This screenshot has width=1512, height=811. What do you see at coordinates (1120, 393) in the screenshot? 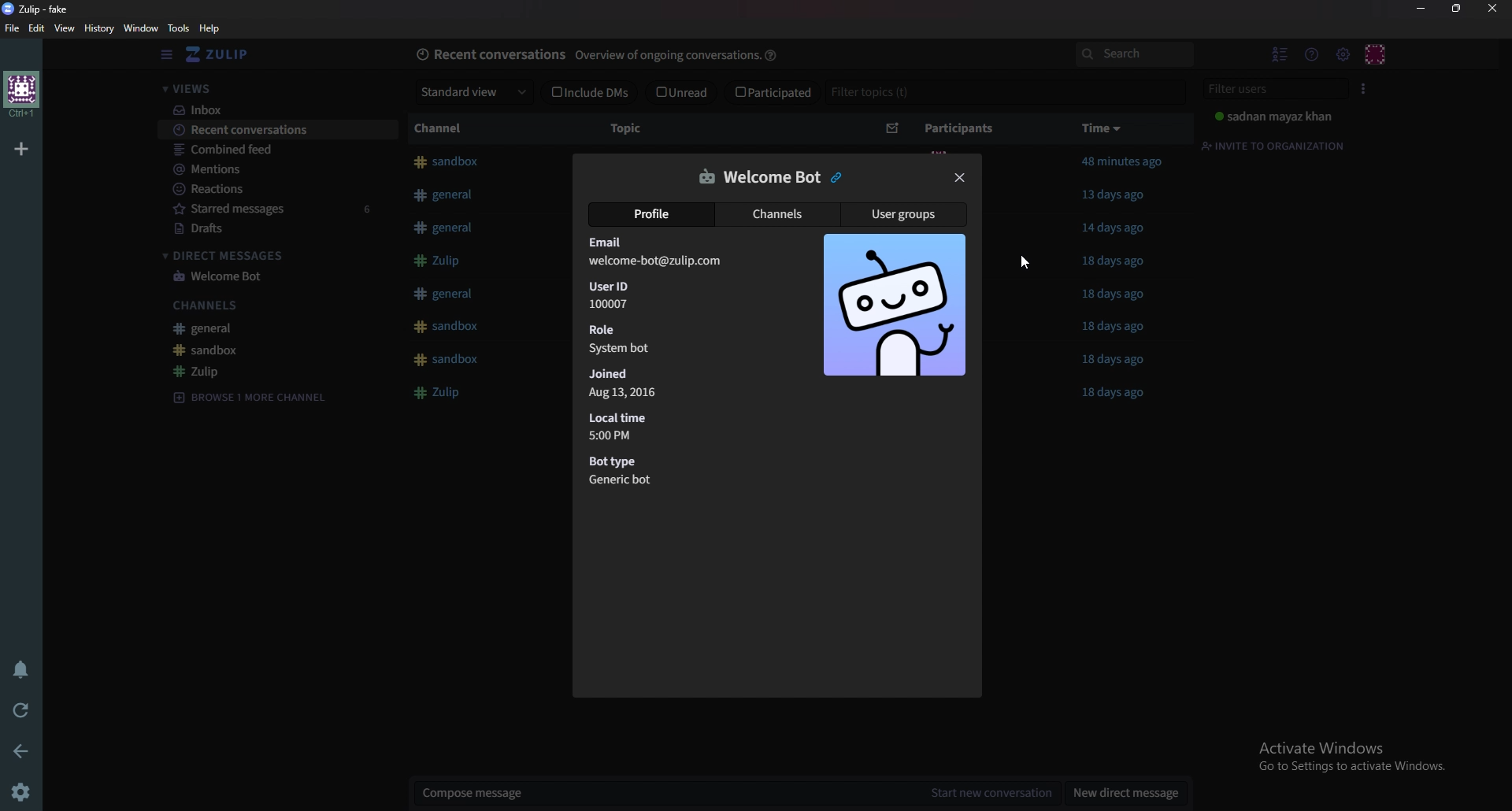
I see `18 days ago` at bounding box center [1120, 393].